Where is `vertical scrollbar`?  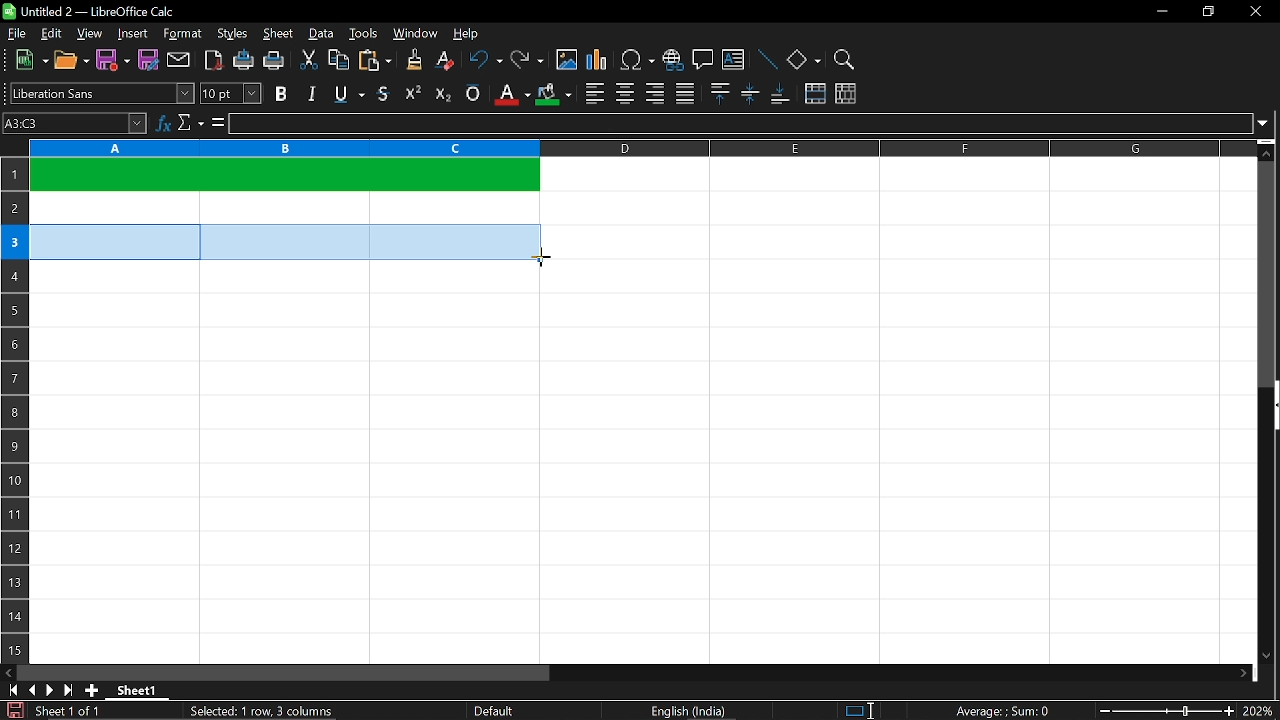 vertical scrollbar is located at coordinates (1268, 274).